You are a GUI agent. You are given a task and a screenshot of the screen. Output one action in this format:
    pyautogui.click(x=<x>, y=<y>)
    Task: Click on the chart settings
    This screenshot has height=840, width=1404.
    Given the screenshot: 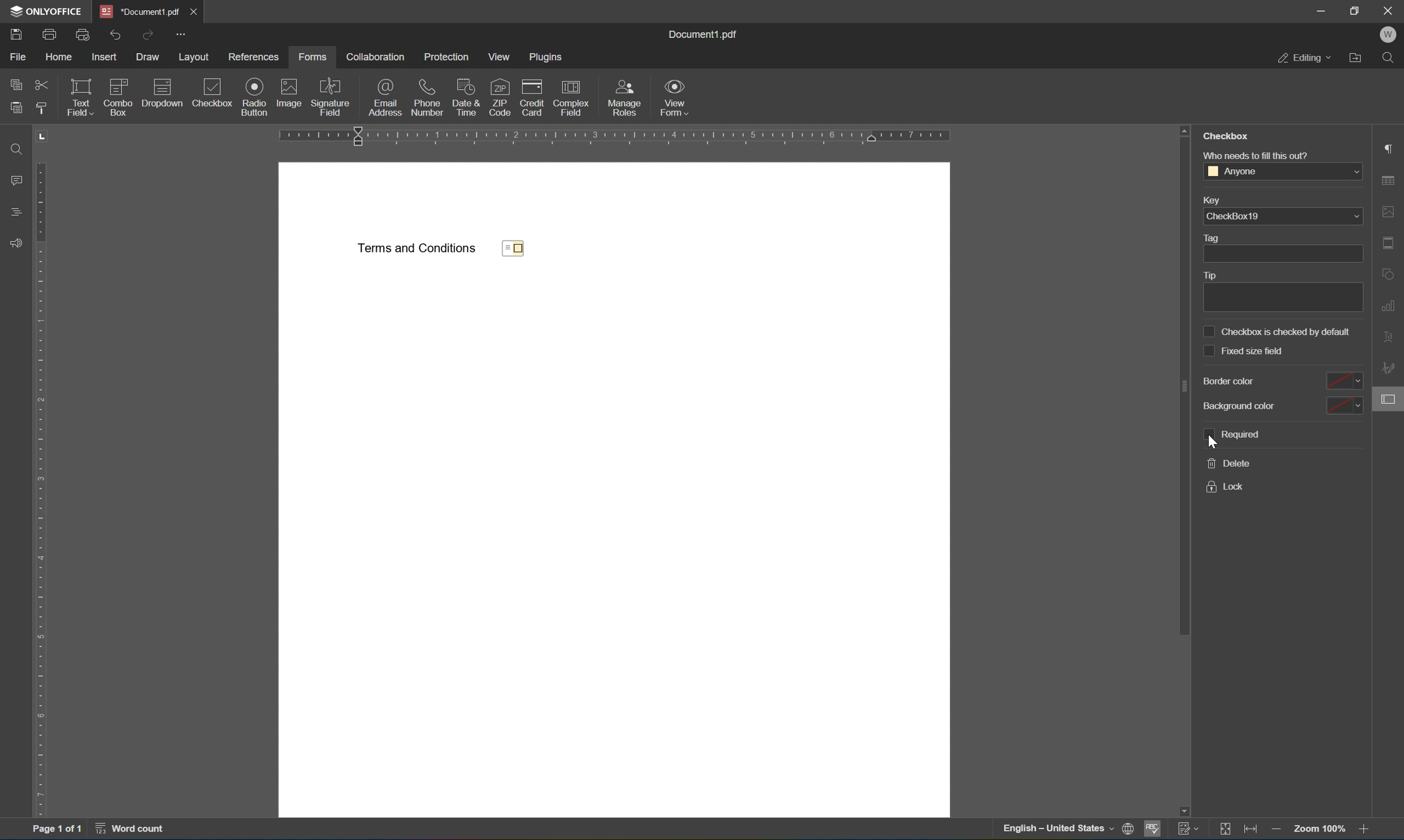 What is the action you would take?
    pyautogui.click(x=1389, y=308)
    